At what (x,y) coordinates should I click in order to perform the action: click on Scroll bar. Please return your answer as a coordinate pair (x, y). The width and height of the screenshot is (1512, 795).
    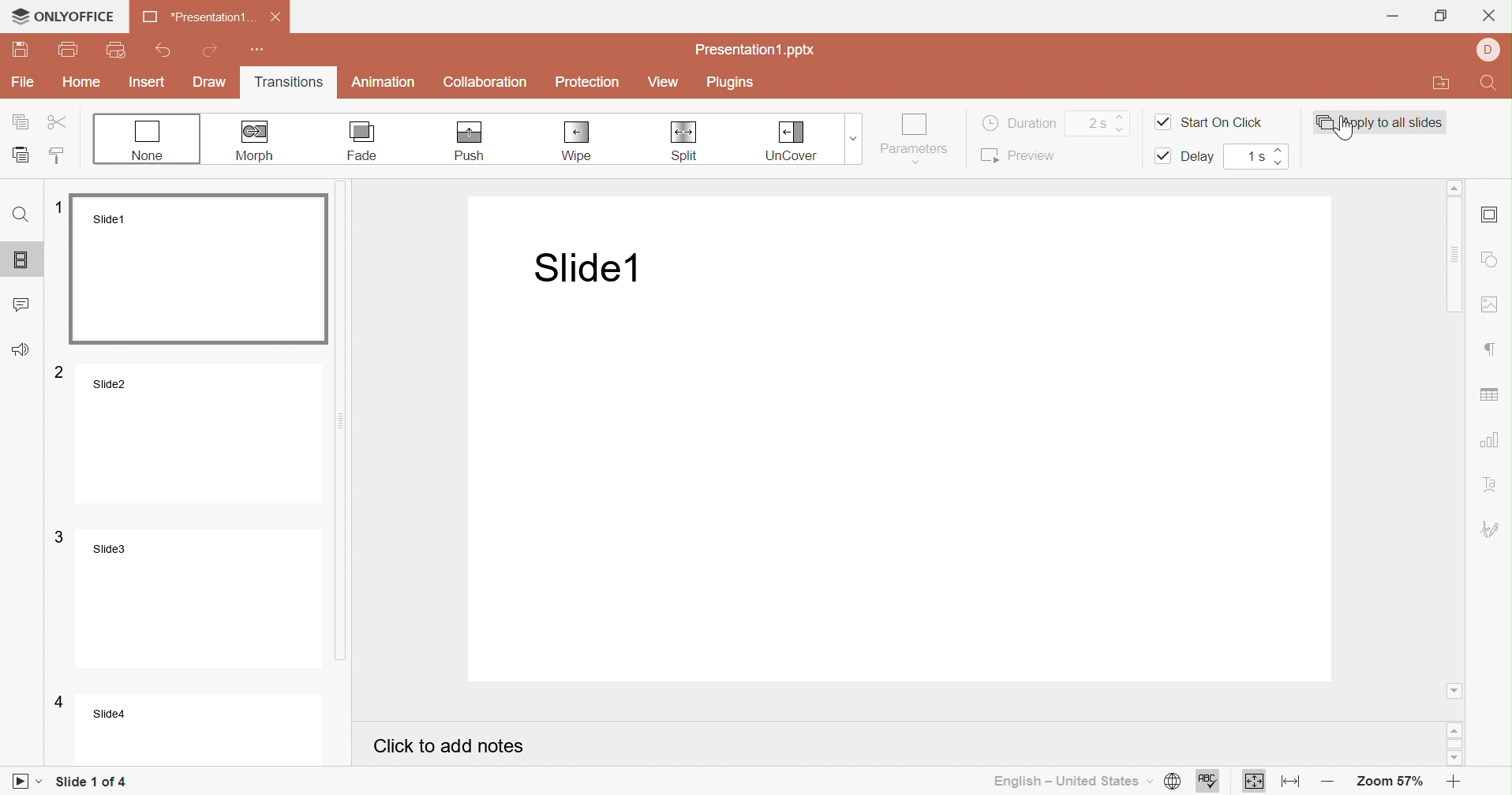
    Looking at the image, I should click on (1458, 255).